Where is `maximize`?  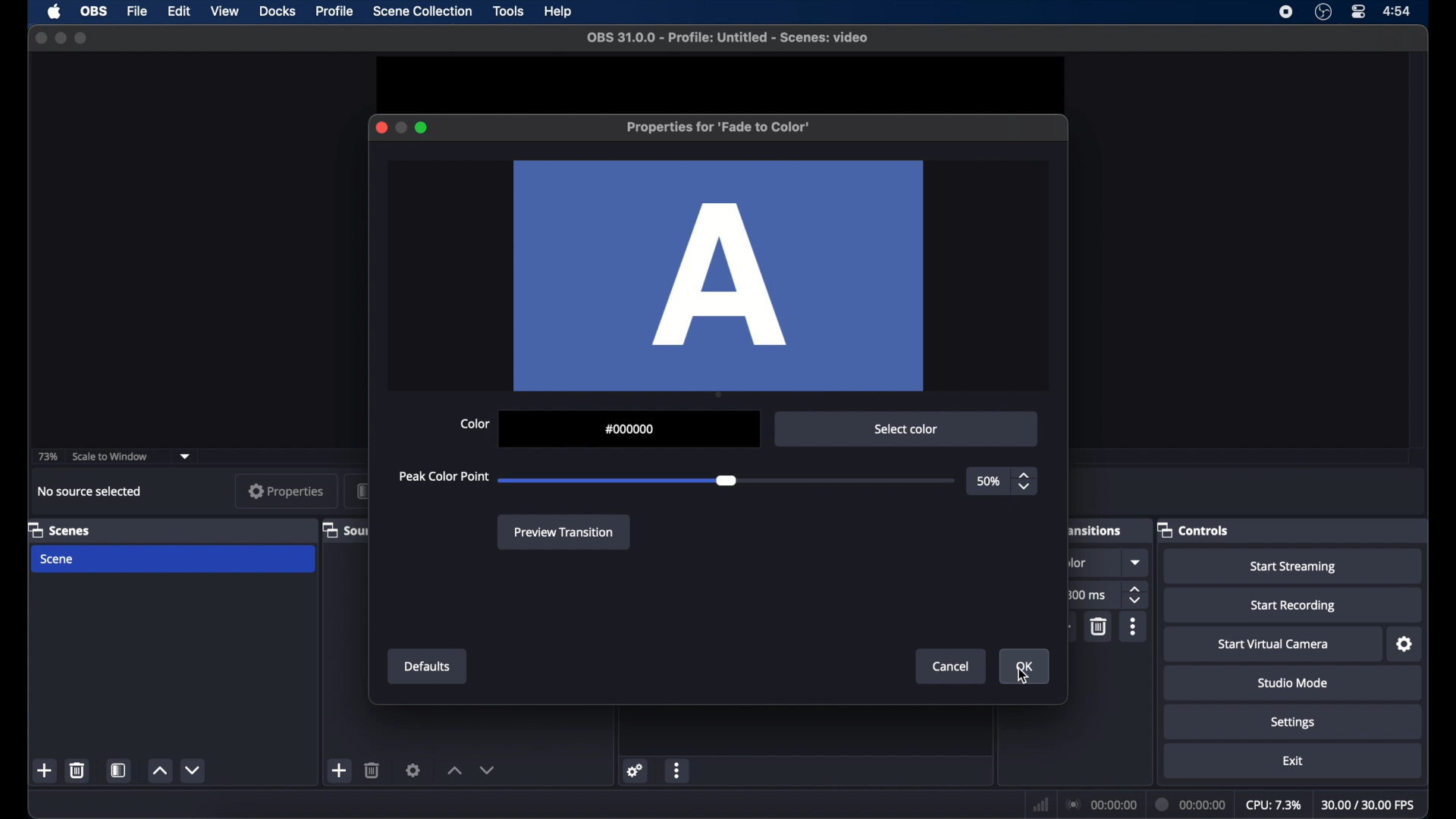 maximize is located at coordinates (82, 39).